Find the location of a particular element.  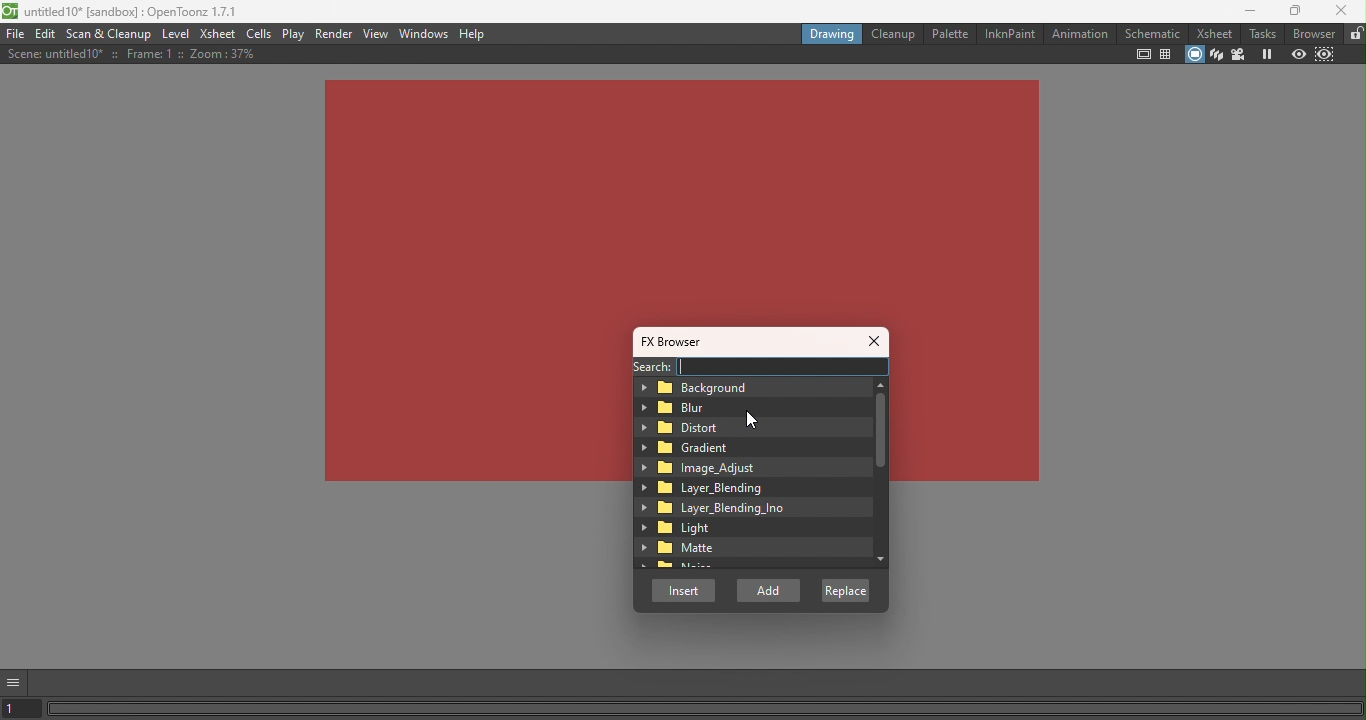

Field guide is located at coordinates (1164, 56).